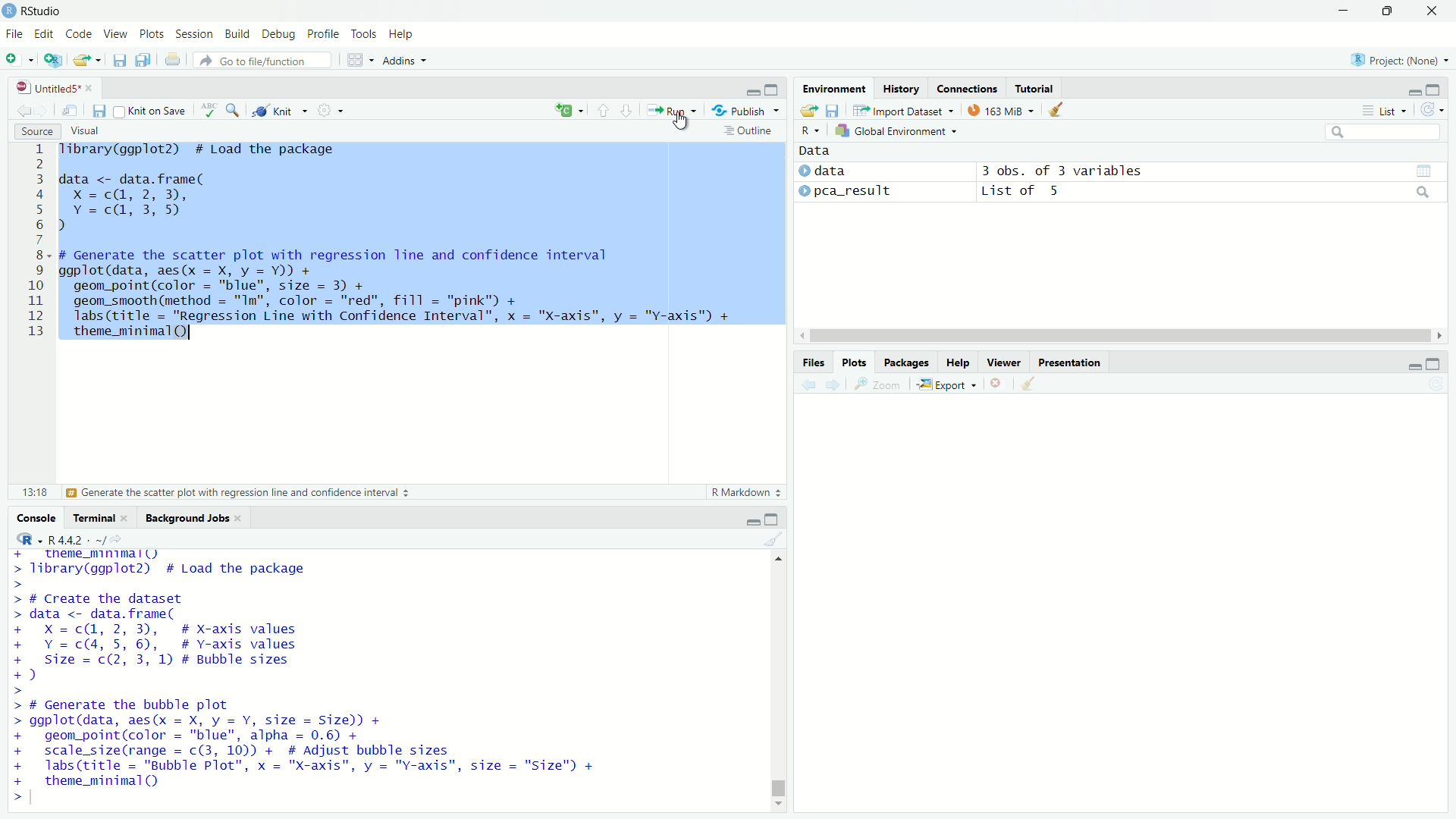 This screenshot has width=1456, height=819. Describe the element at coordinates (880, 384) in the screenshot. I see `Zoom` at that location.